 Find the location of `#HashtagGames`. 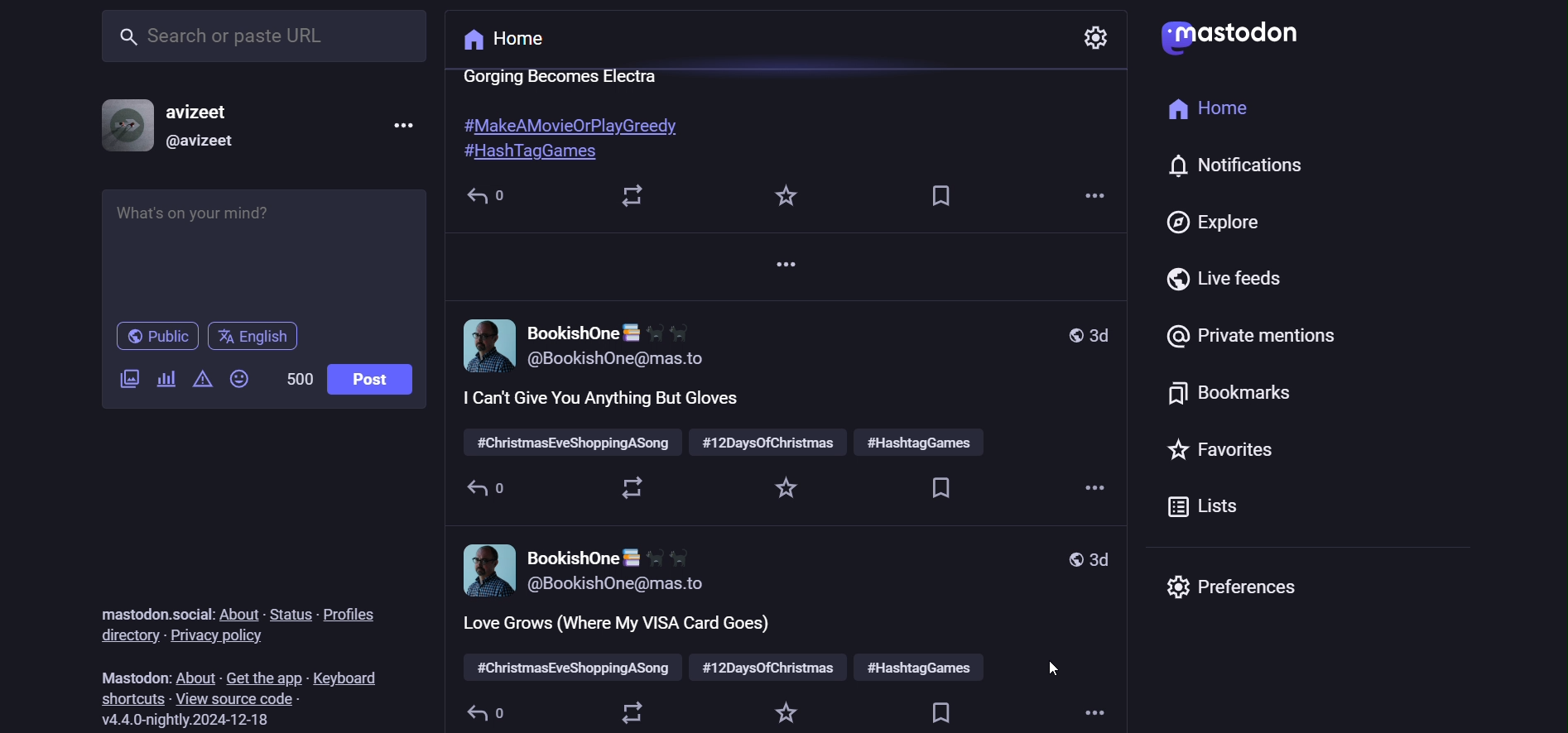

#HashtagGames is located at coordinates (922, 442).